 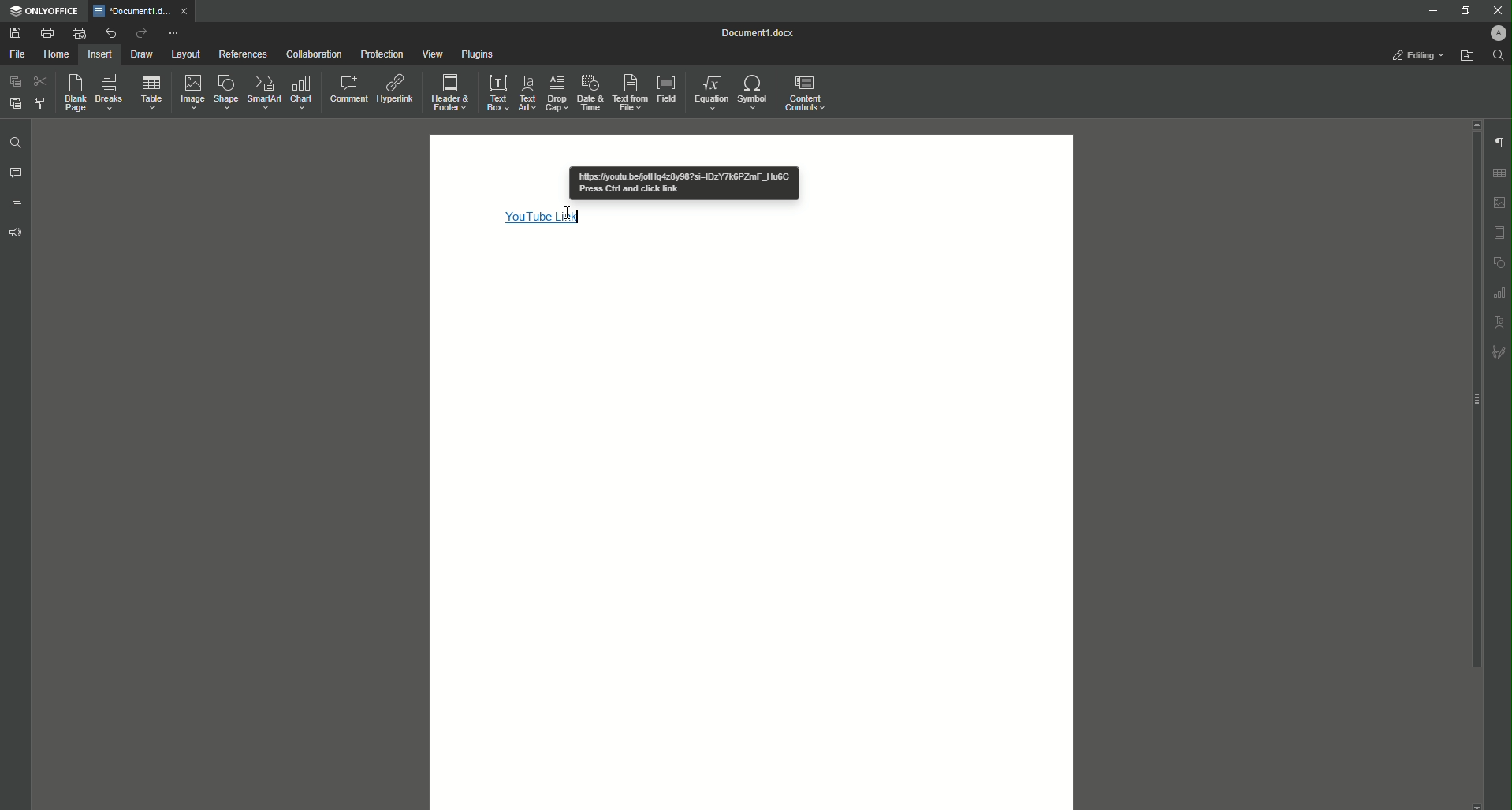 What do you see at coordinates (476, 53) in the screenshot?
I see `Plugins` at bounding box center [476, 53].